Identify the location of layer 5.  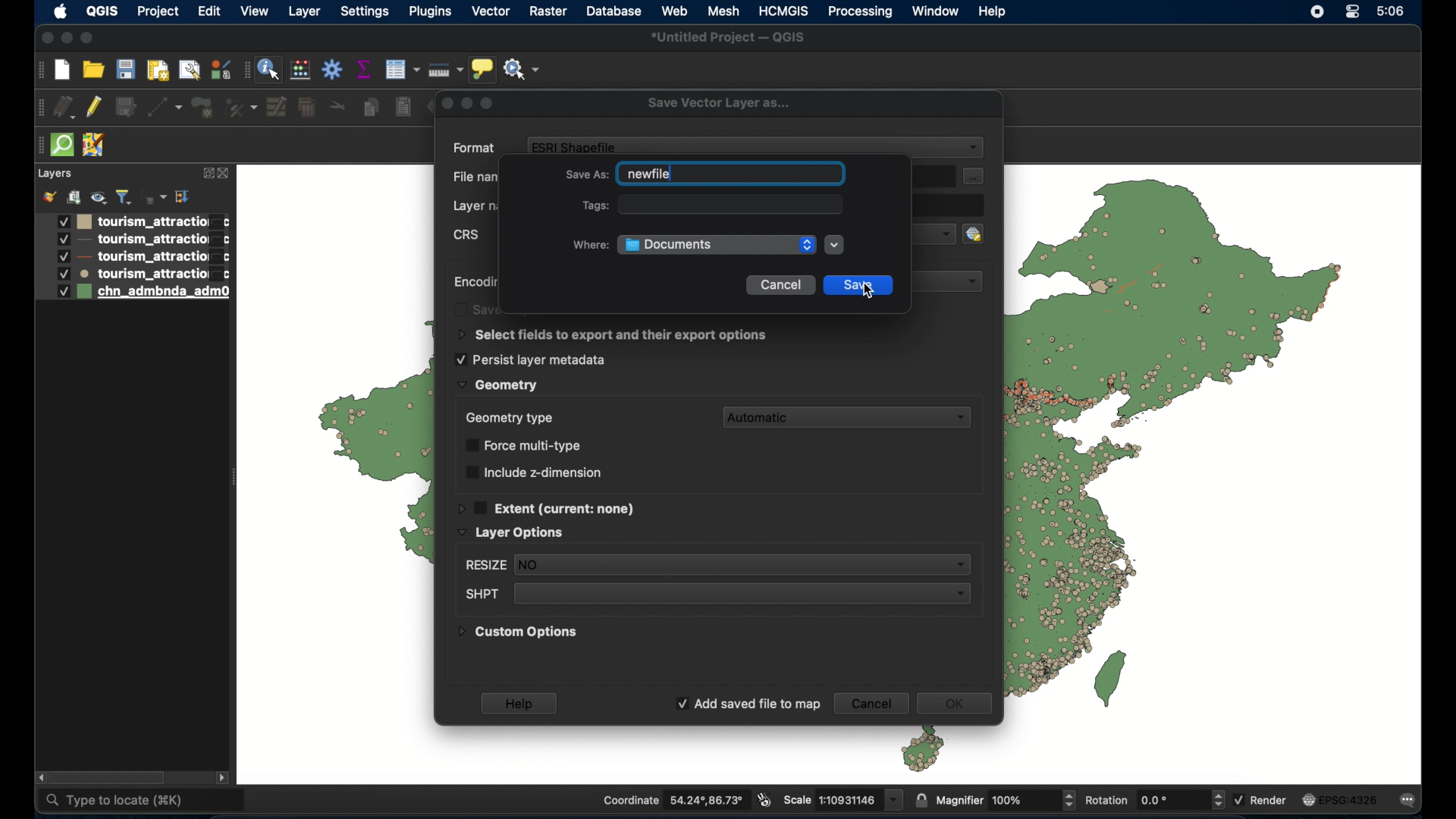
(132, 293).